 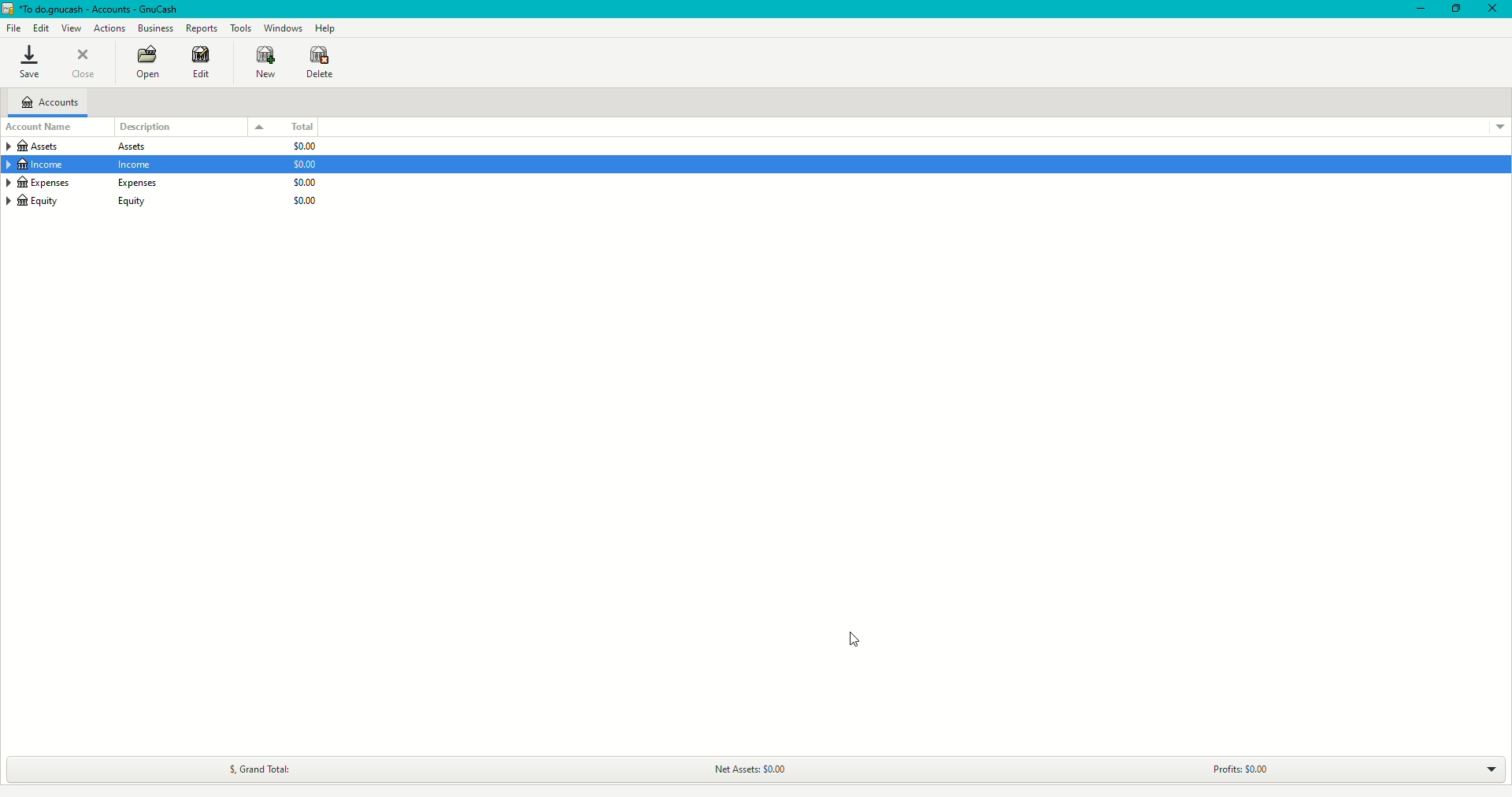 I want to click on Drop down, so click(x=258, y=127).